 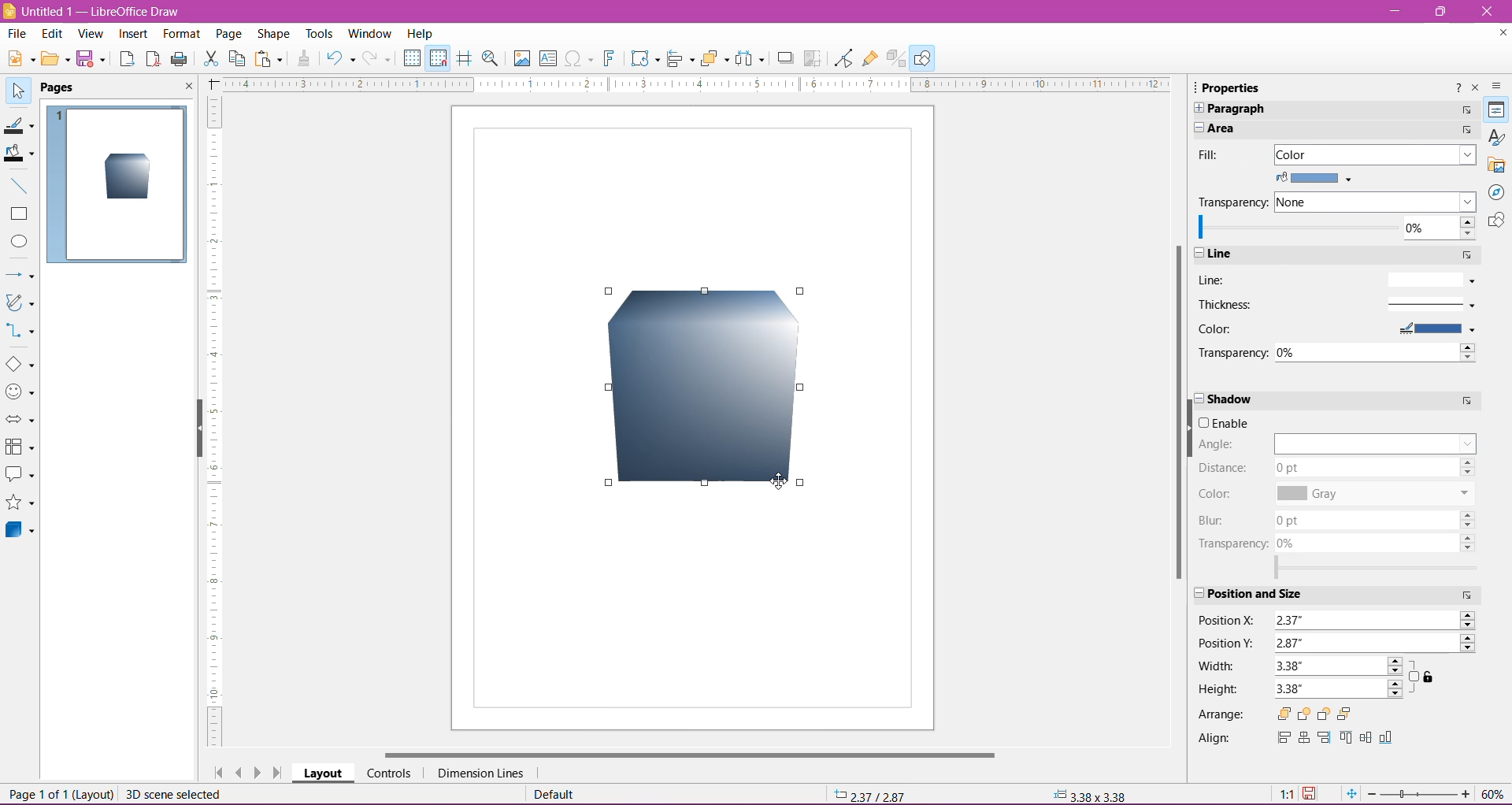 What do you see at coordinates (54, 34) in the screenshot?
I see `Edit` at bounding box center [54, 34].